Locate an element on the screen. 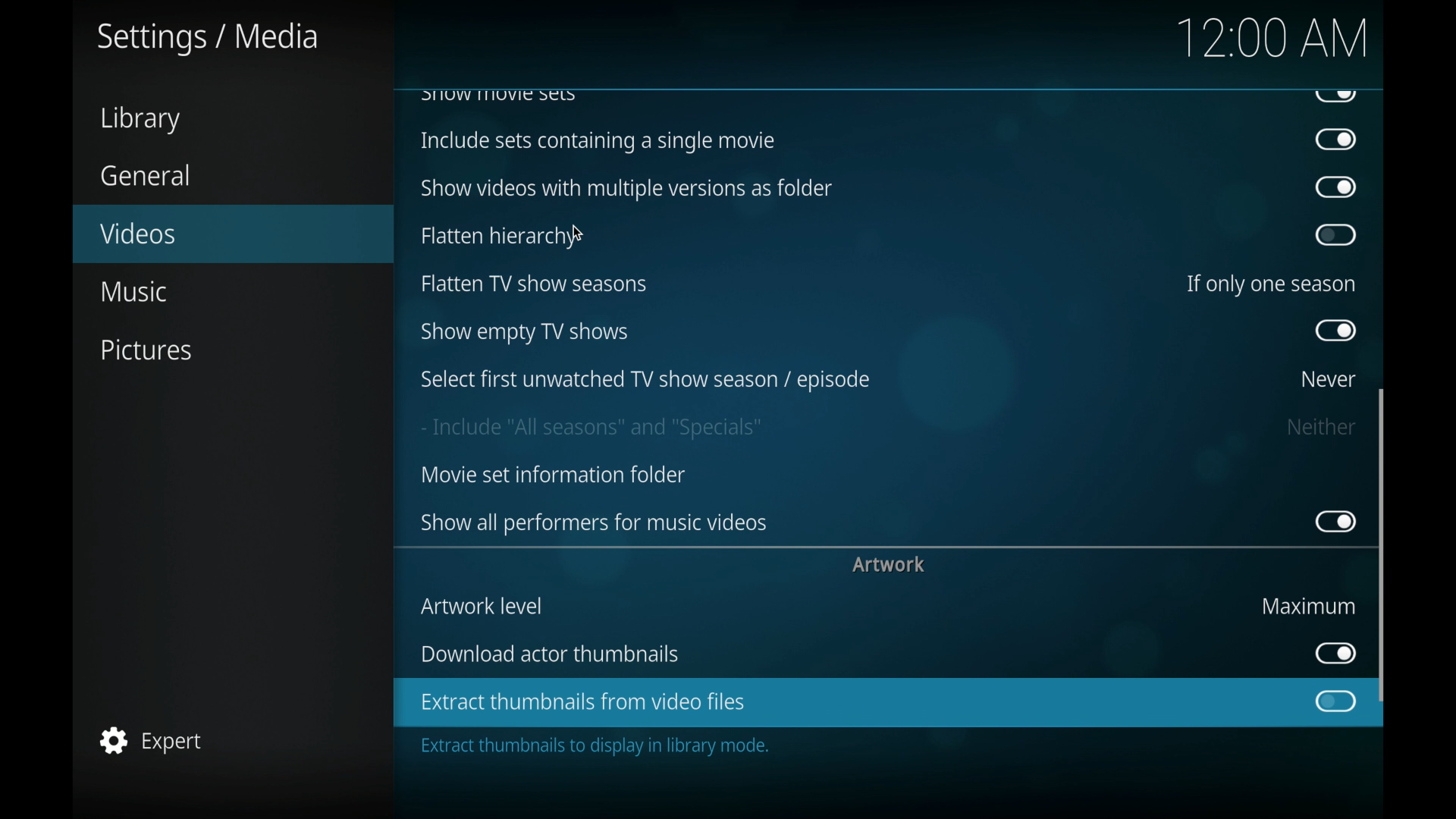 This screenshot has height=819, width=1456. neither is located at coordinates (1323, 428).